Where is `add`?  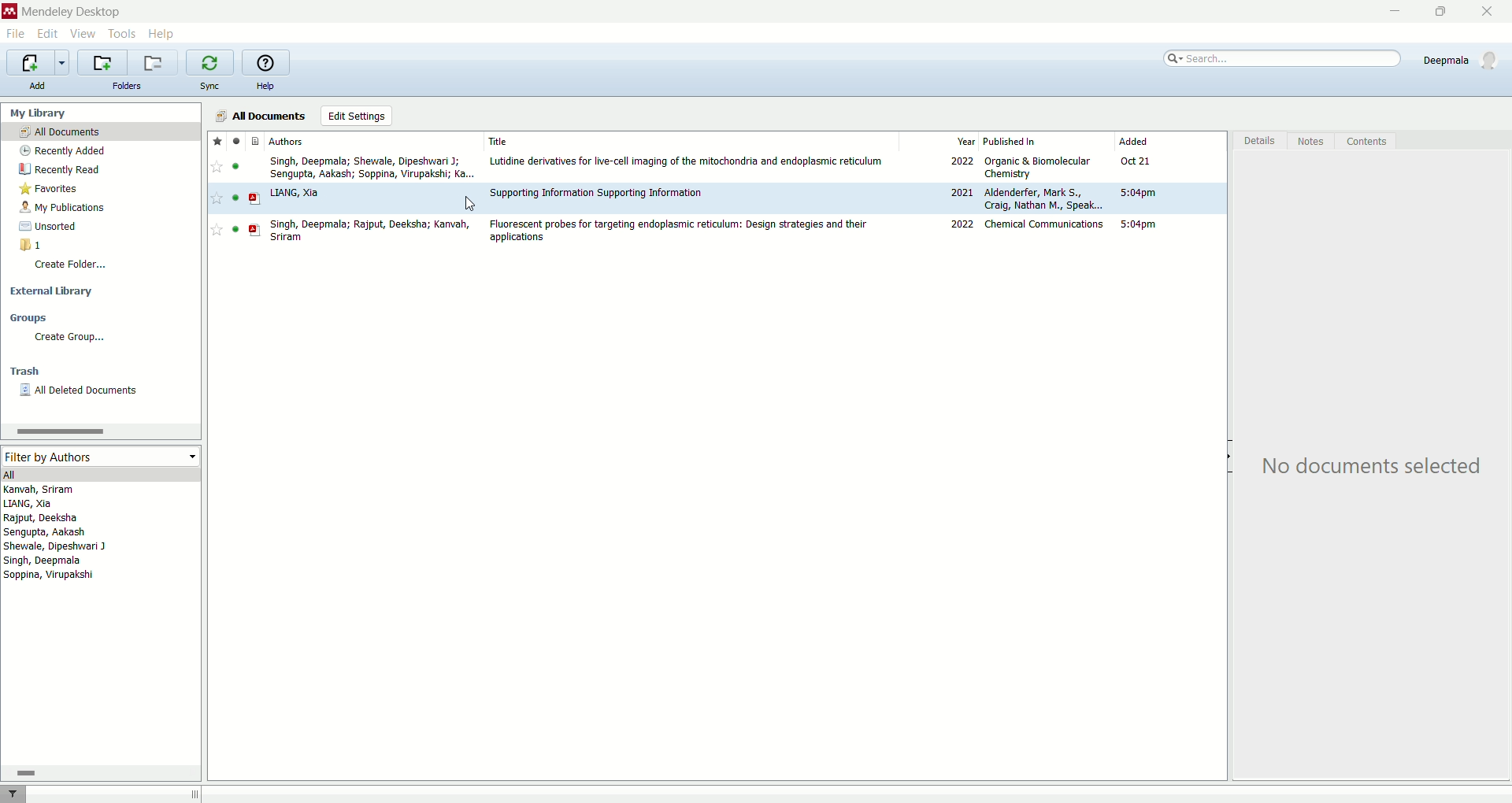
add is located at coordinates (43, 86).